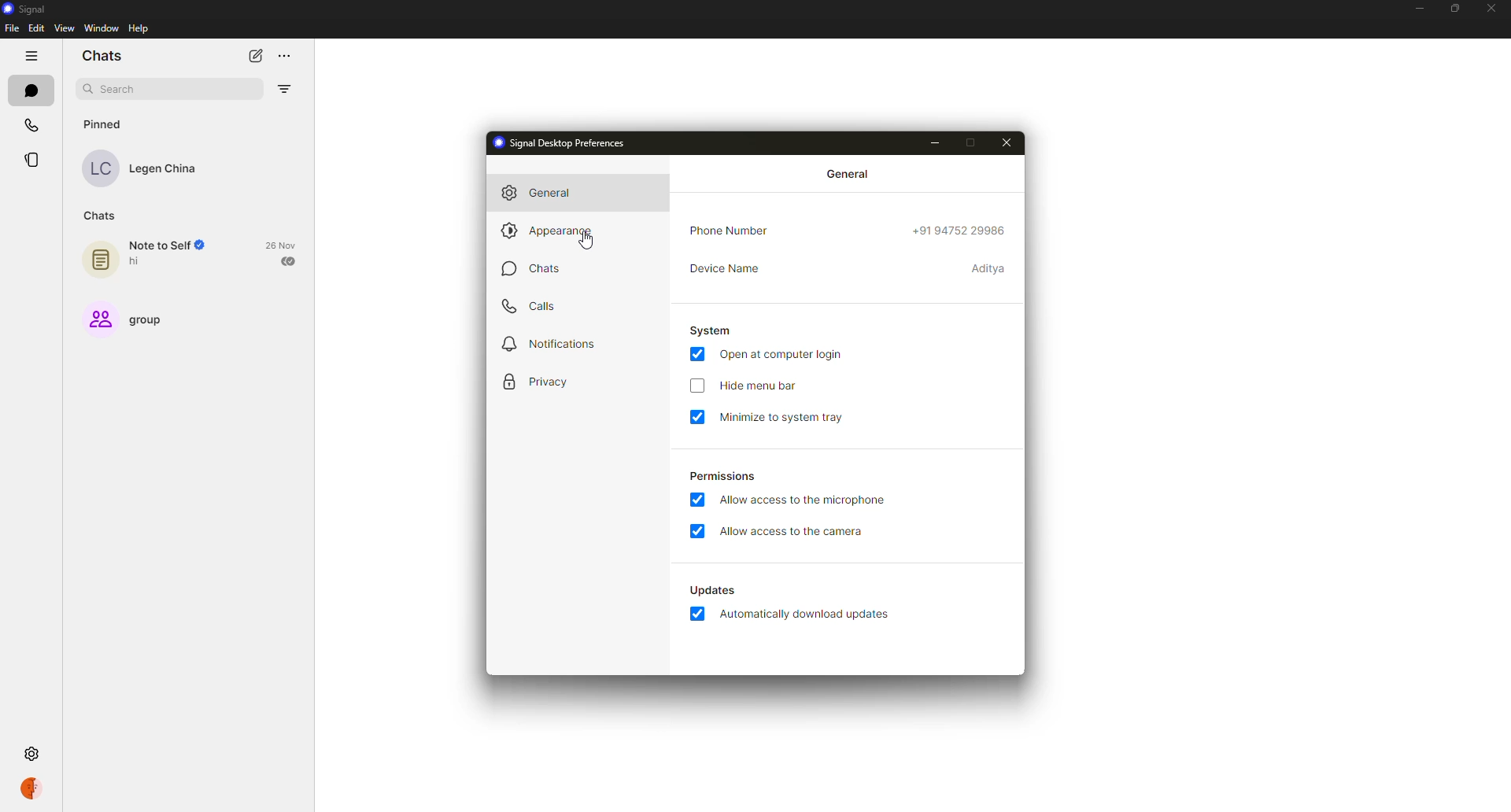  Describe the element at coordinates (534, 382) in the screenshot. I see `privacy` at that location.